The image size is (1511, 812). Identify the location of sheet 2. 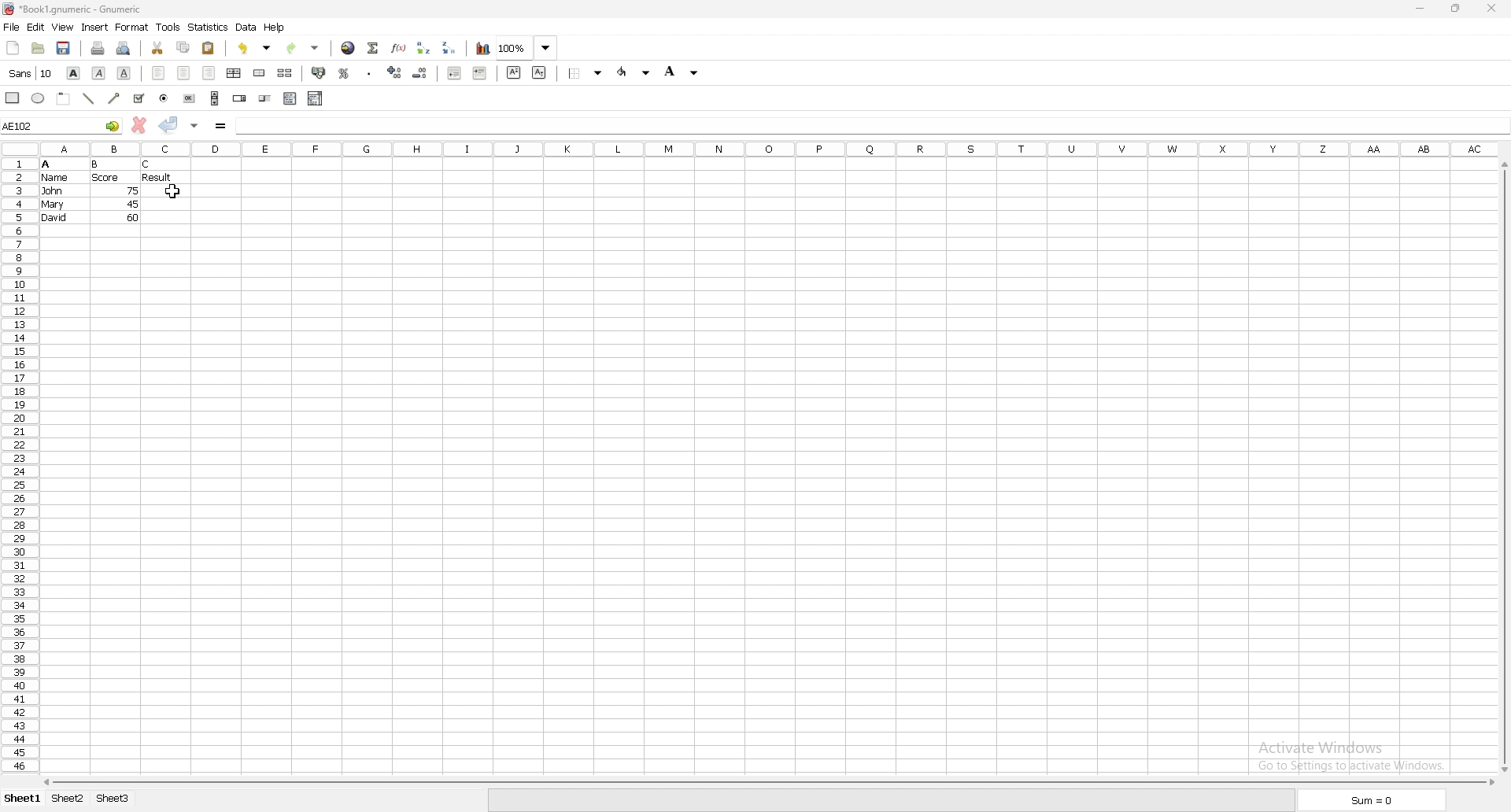
(65, 800).